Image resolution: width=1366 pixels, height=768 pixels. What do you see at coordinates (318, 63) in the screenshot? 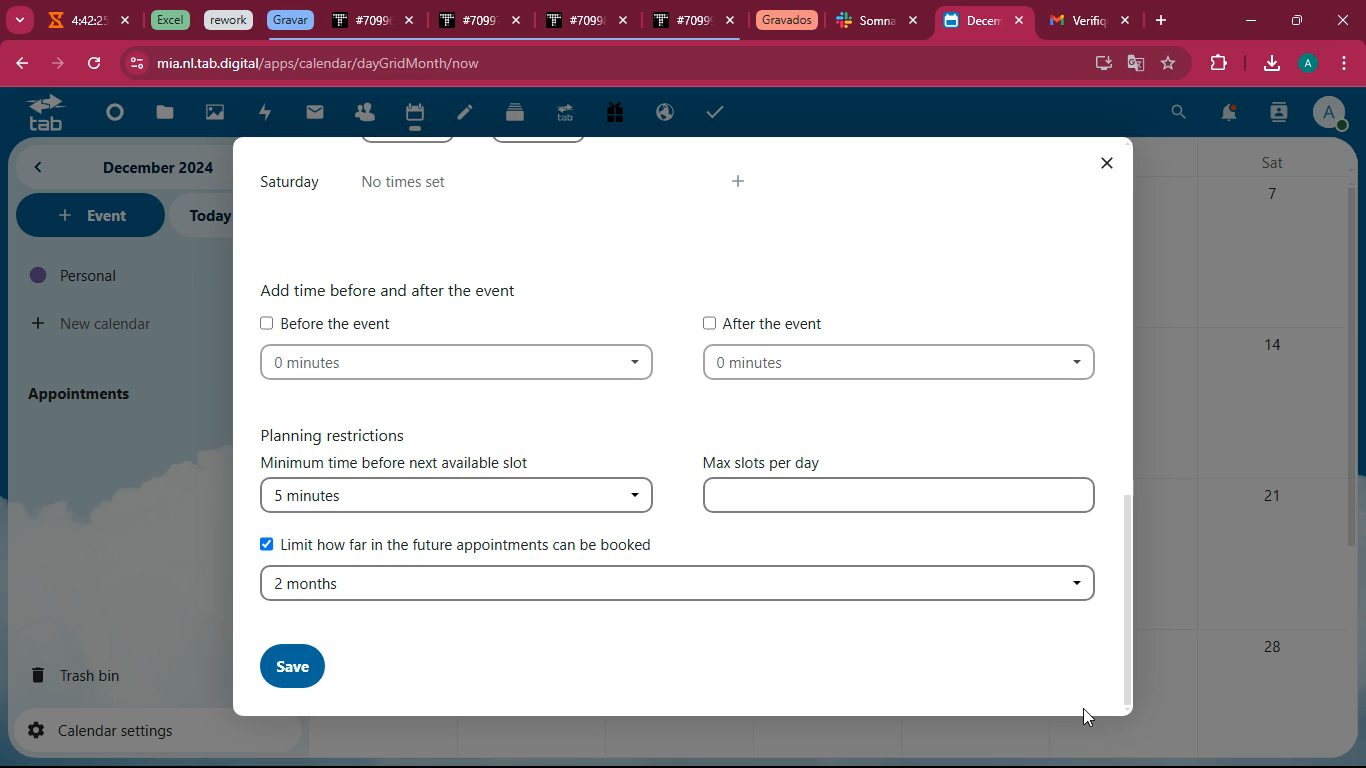
I see `url` at bounding box center [318, 63].